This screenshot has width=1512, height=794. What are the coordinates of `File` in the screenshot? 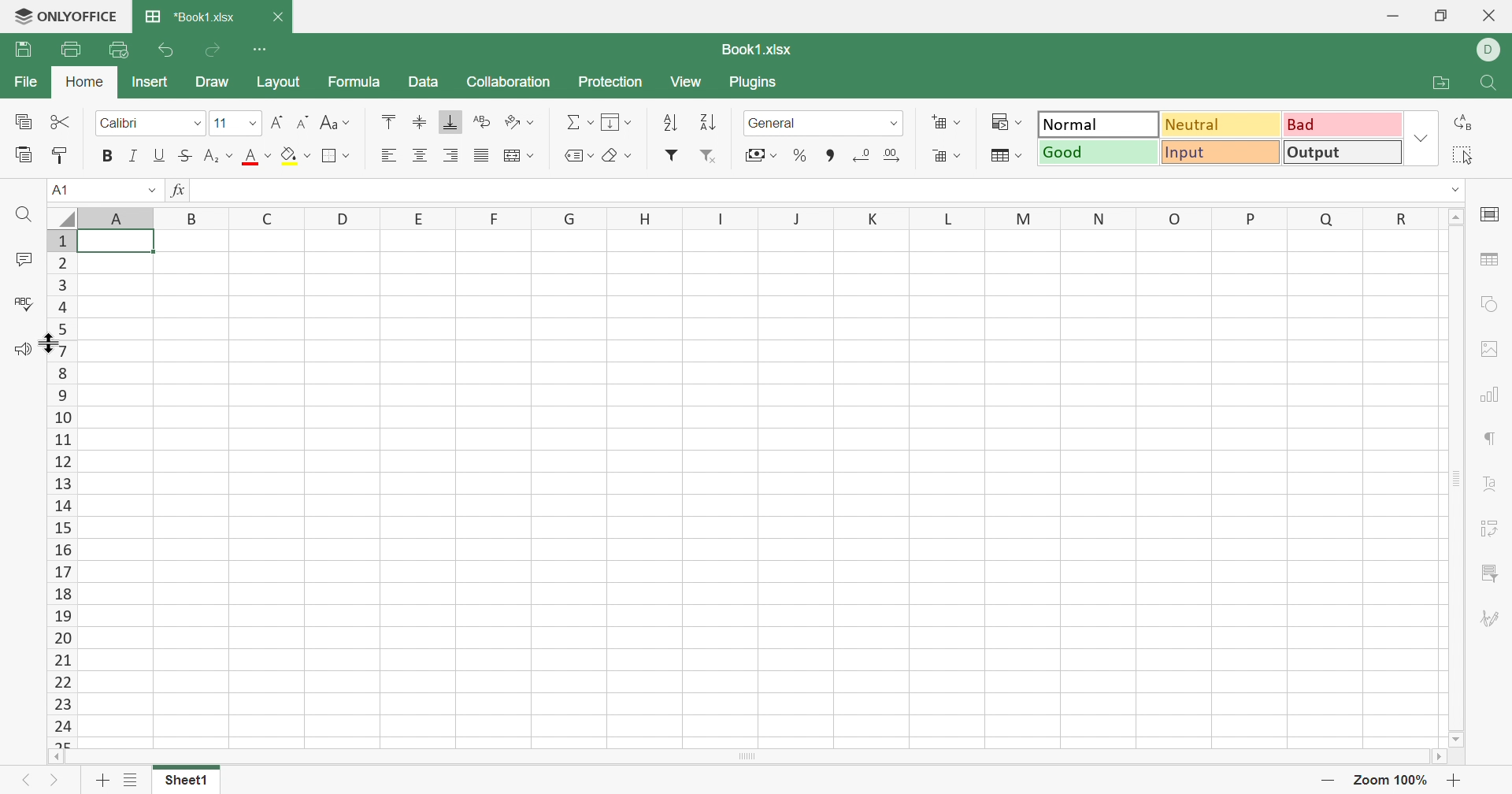 It's located at (25, 78).